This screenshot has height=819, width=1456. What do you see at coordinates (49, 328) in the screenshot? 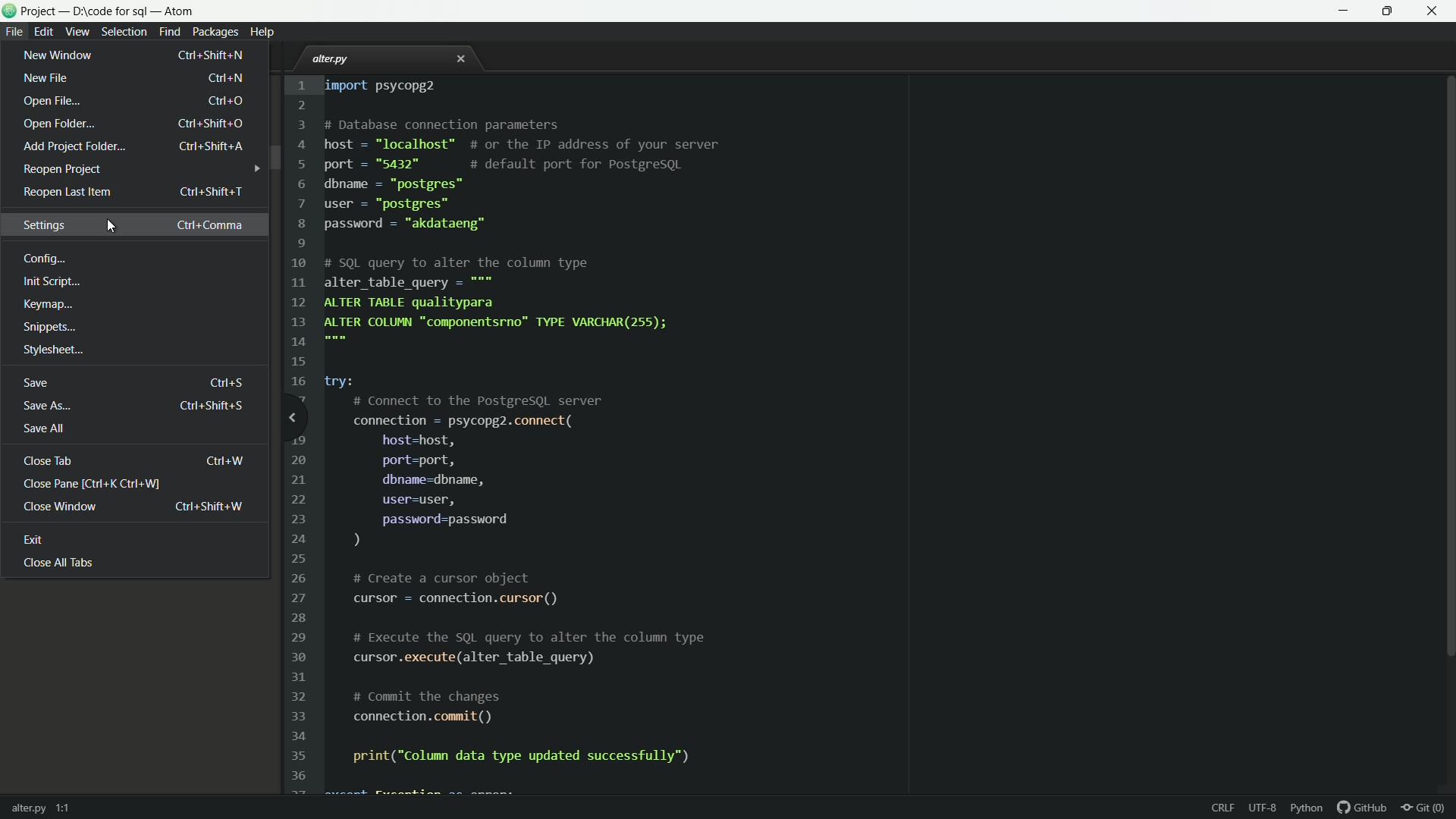
I see `snippets` at bounding box center [49, 328].